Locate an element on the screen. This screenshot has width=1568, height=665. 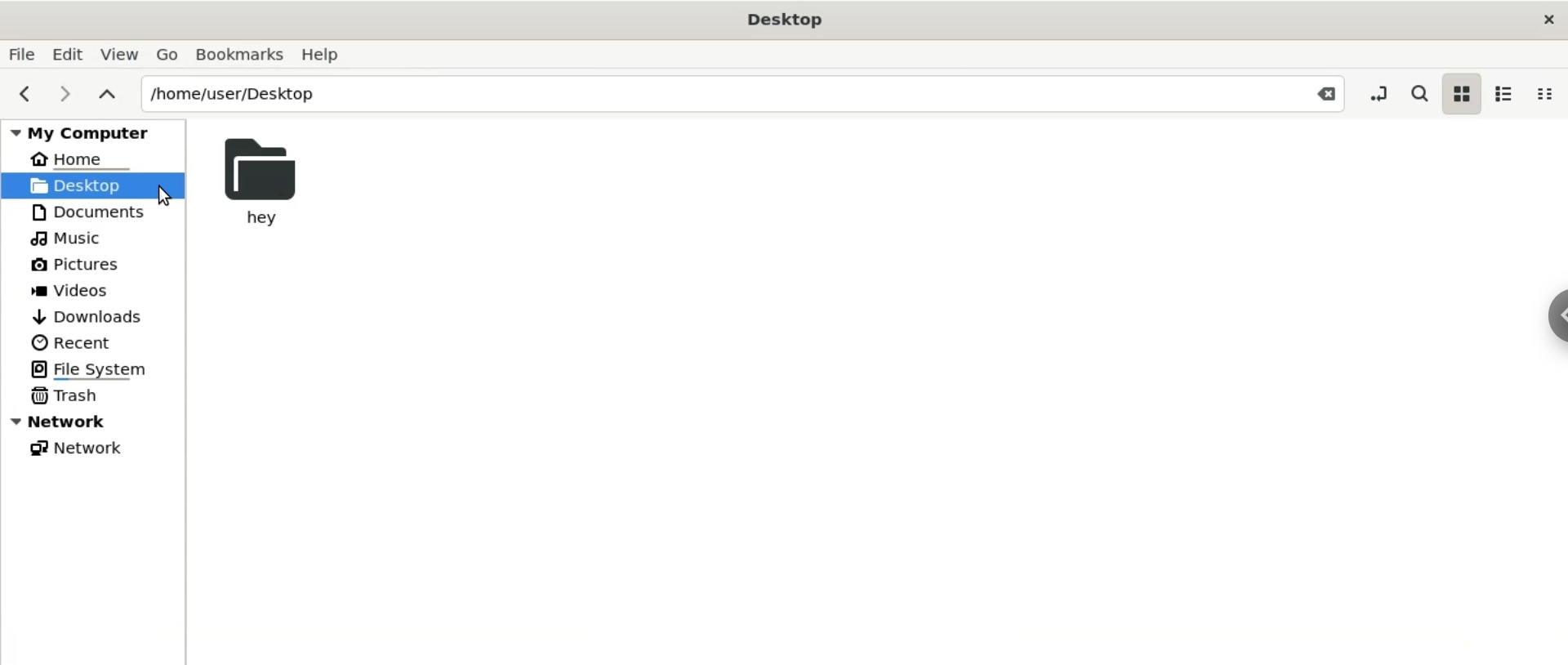
File is located at coordinates (22, 54).